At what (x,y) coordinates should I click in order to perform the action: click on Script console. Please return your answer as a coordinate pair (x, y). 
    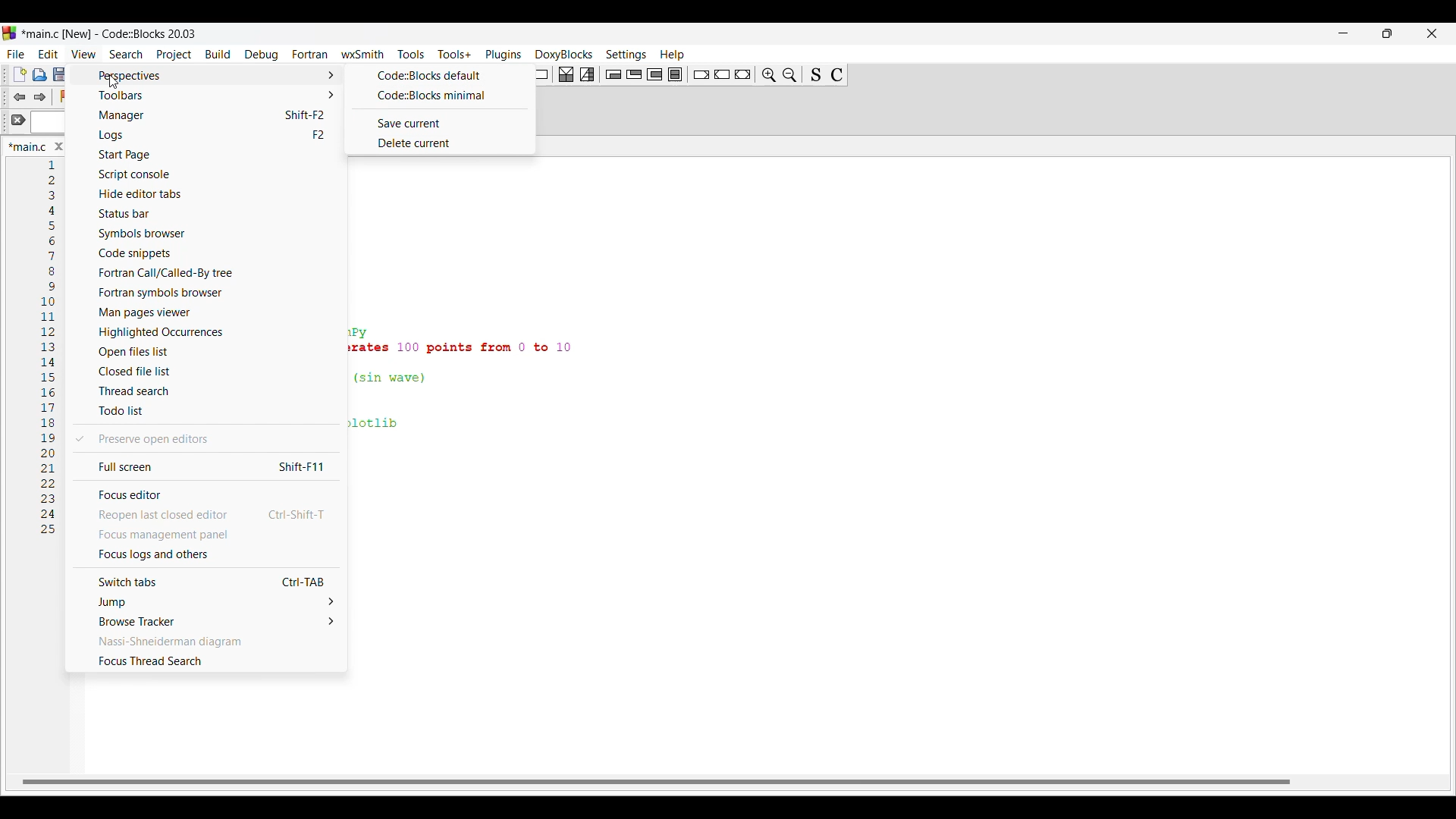
    Looking at the image, I should click on (211, 174).